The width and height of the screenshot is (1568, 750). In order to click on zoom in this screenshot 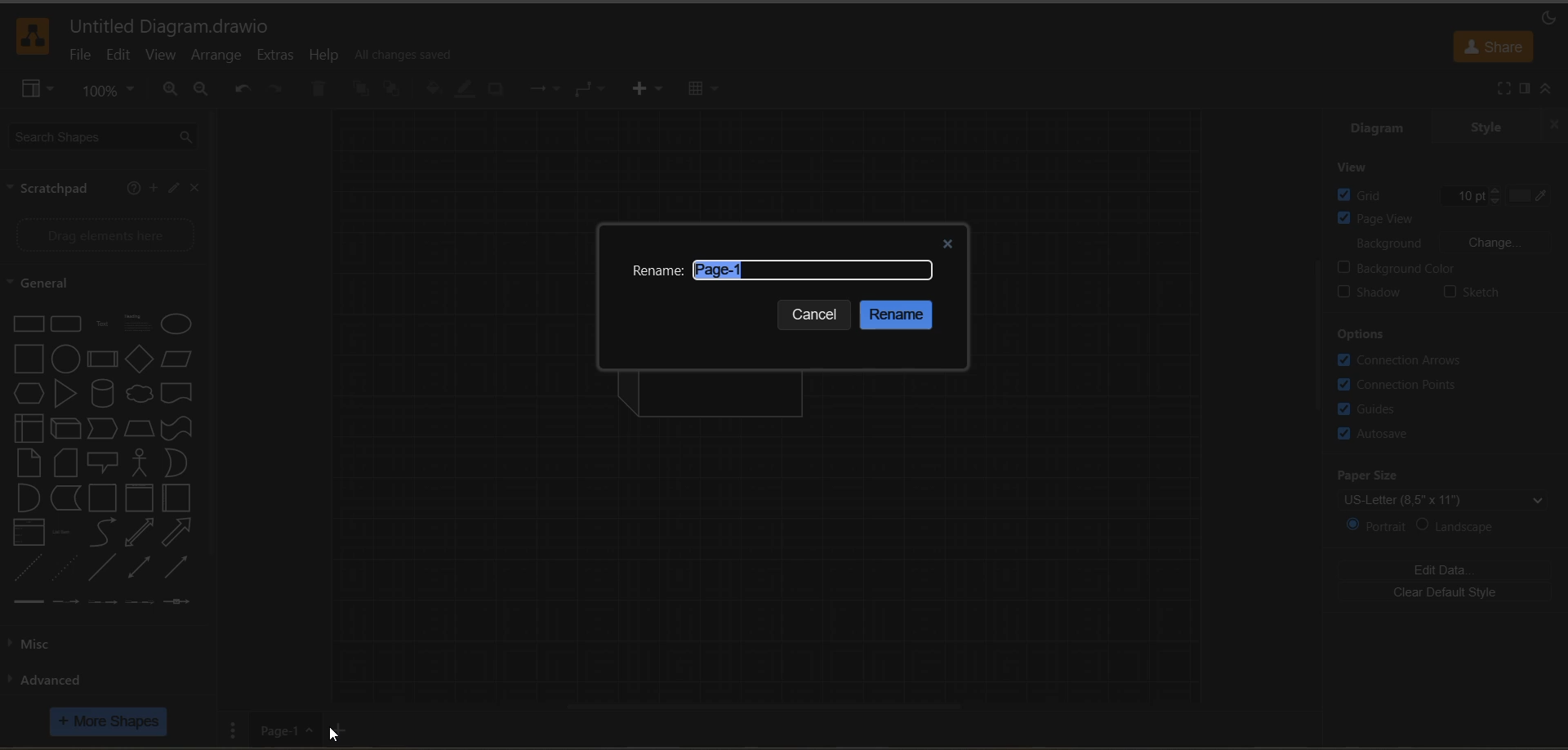, I will do `click(109, 91)`.